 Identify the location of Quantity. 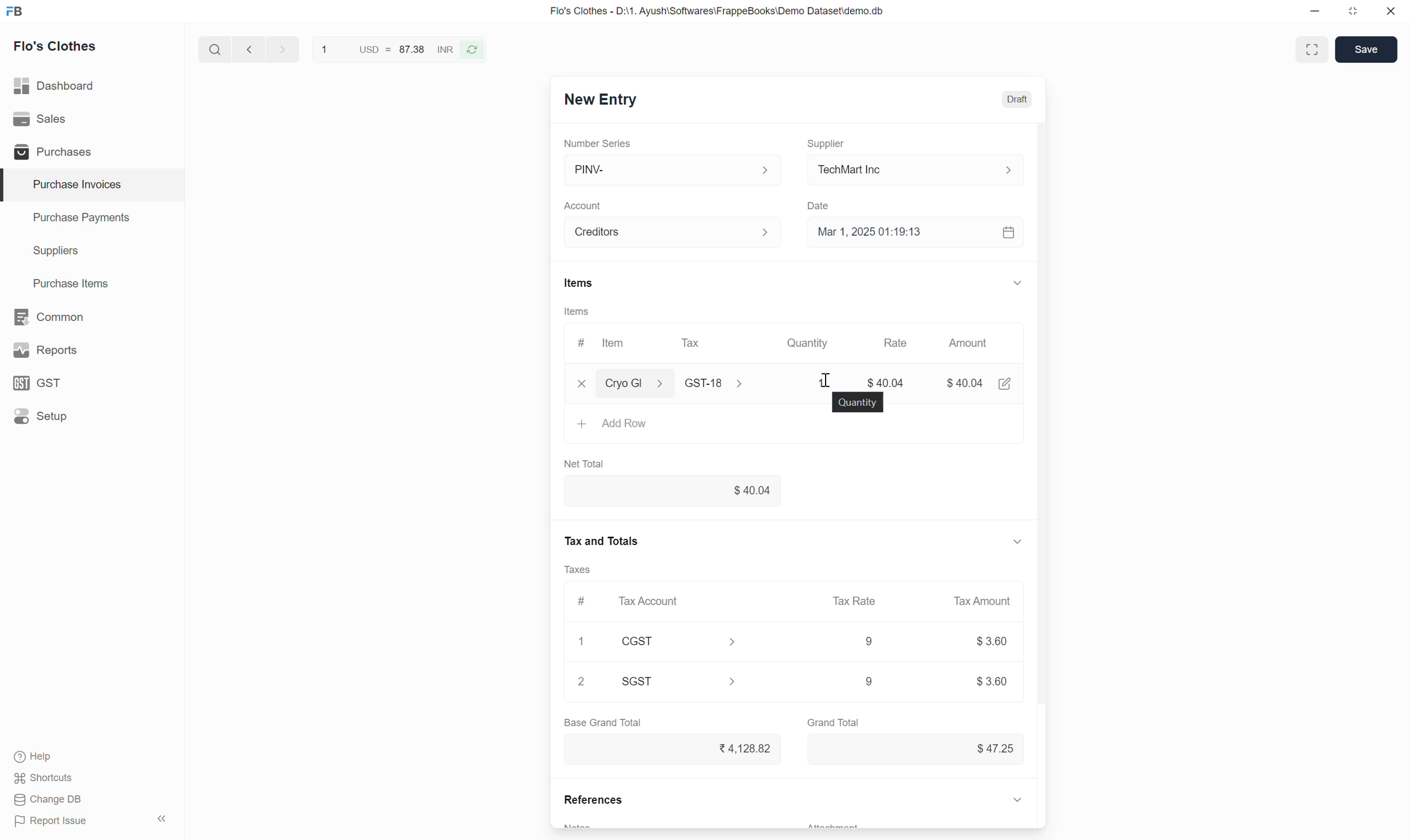
(815, 343).